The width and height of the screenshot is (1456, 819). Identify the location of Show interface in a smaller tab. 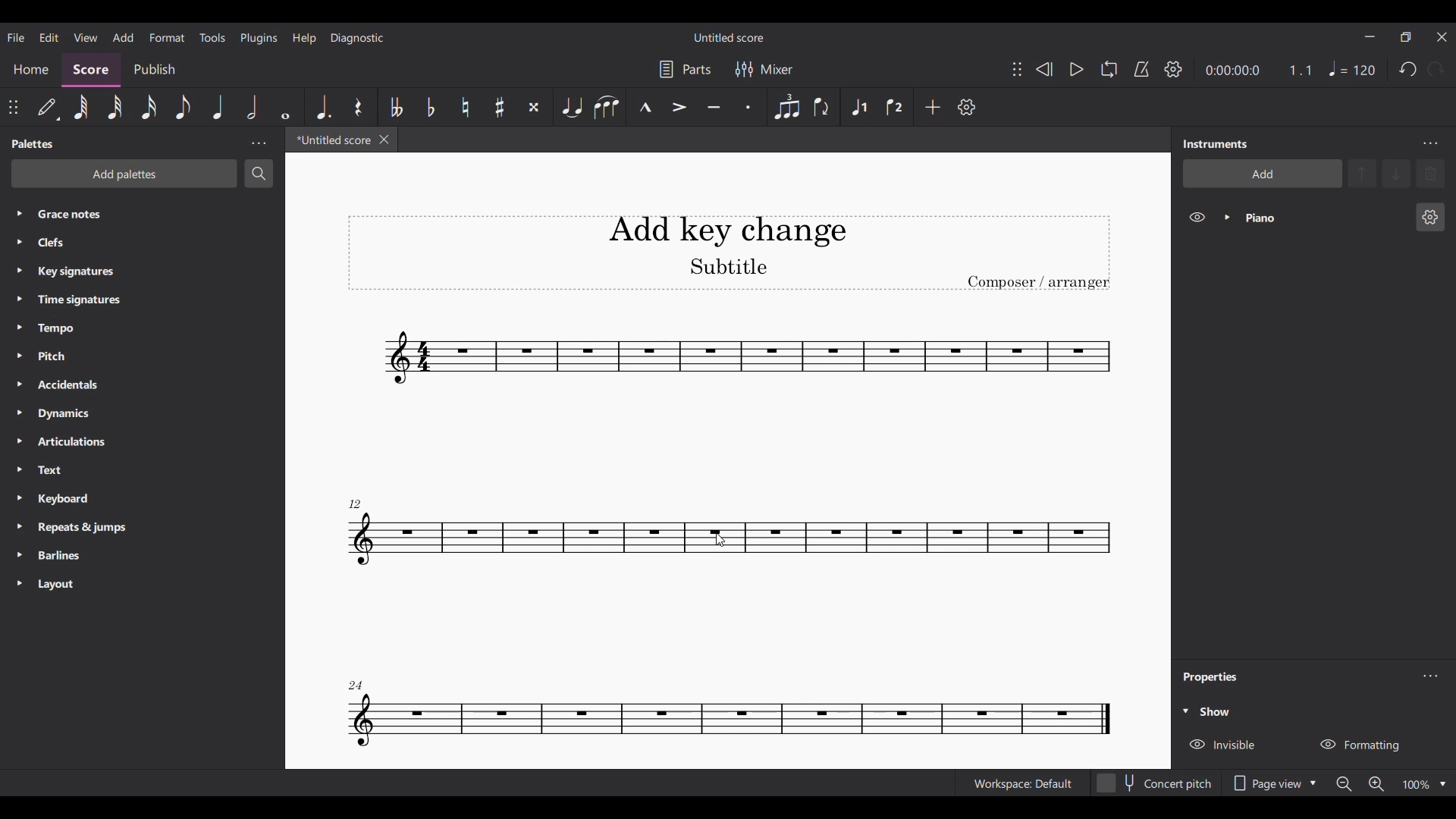
(1405, 37).